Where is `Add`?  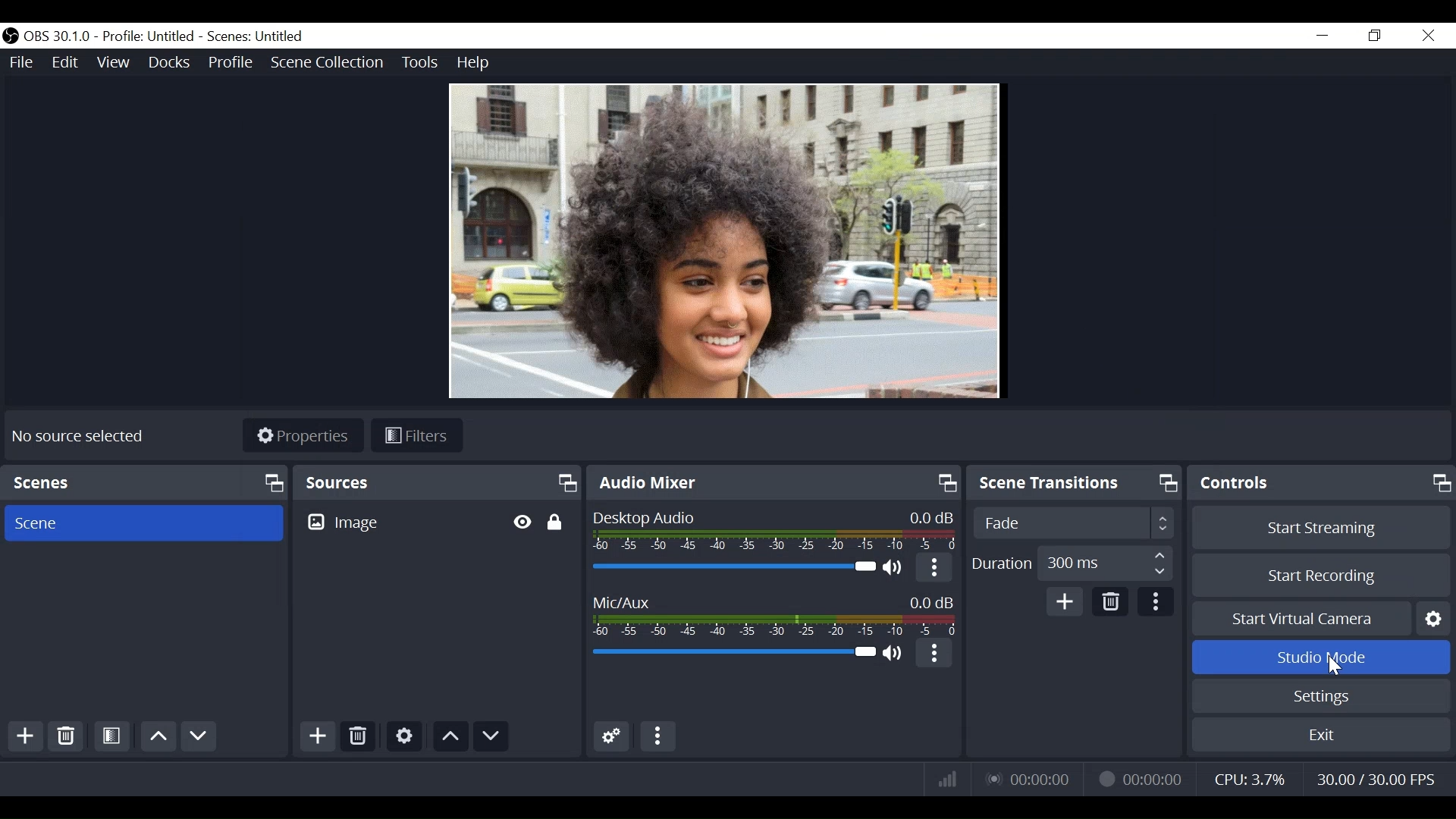
Add is located at coordinates (25, 738).